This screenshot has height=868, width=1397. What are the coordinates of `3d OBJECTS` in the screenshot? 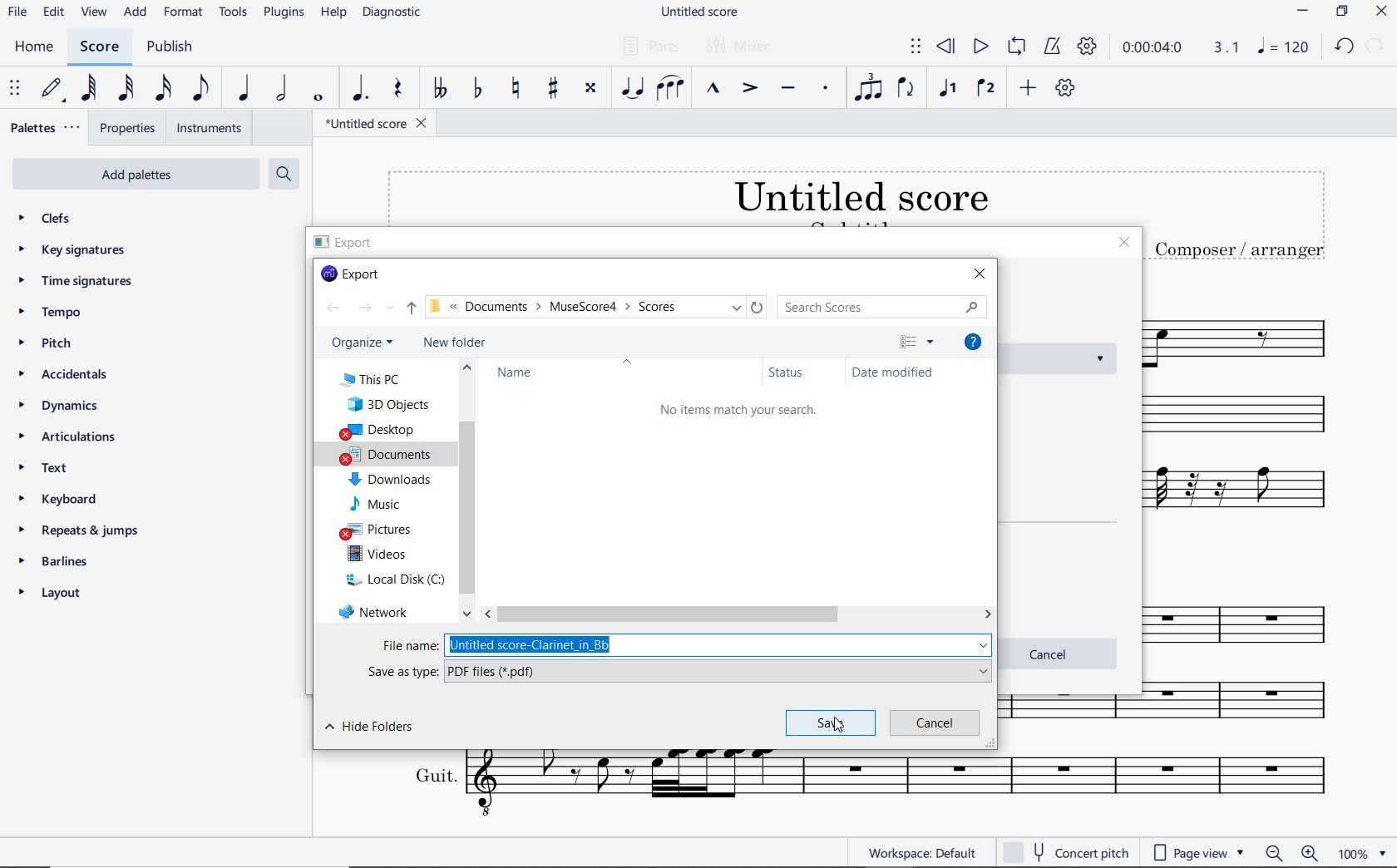 It's located at (392, 403).